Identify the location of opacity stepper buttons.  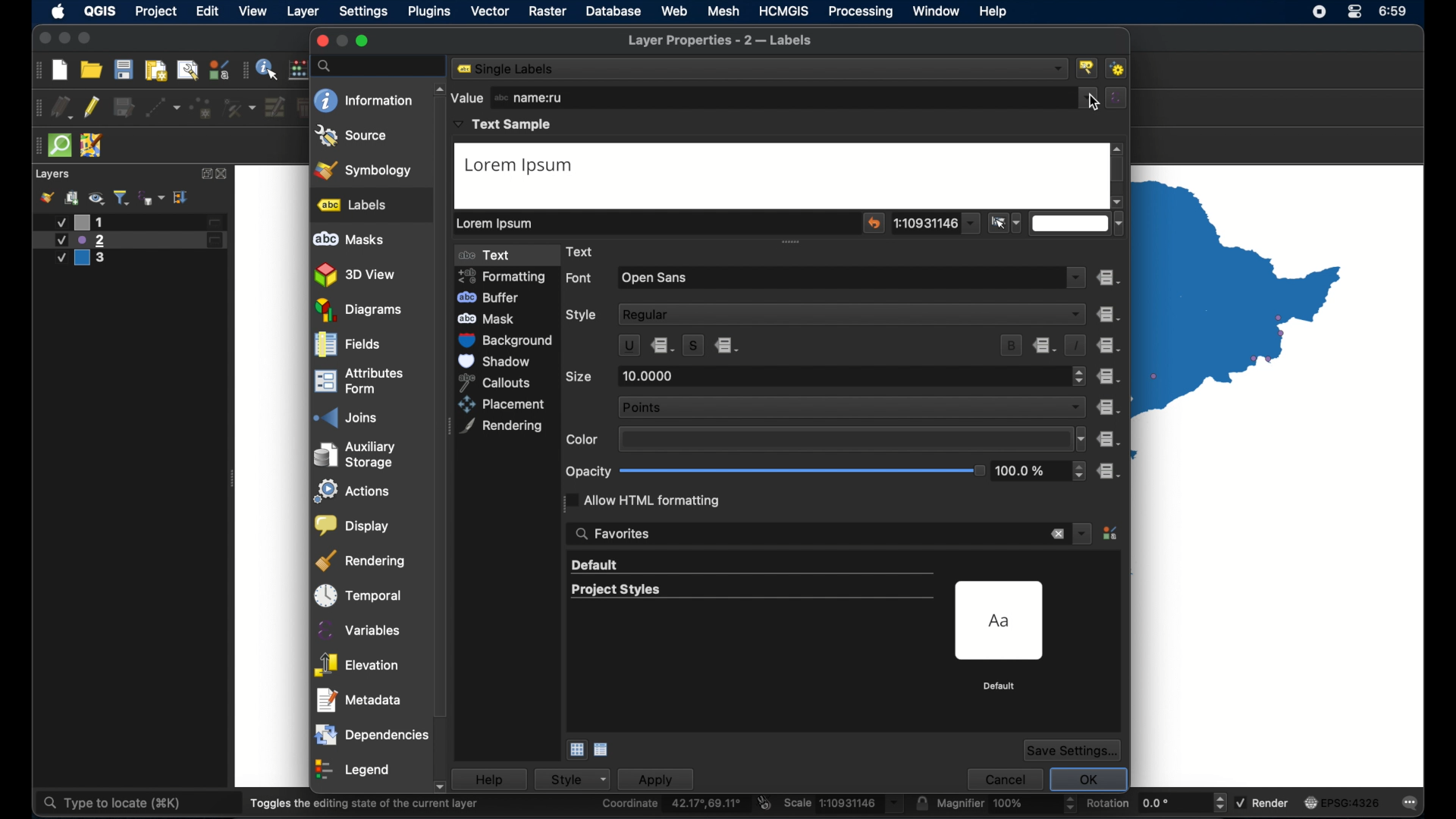
(1041, 471).